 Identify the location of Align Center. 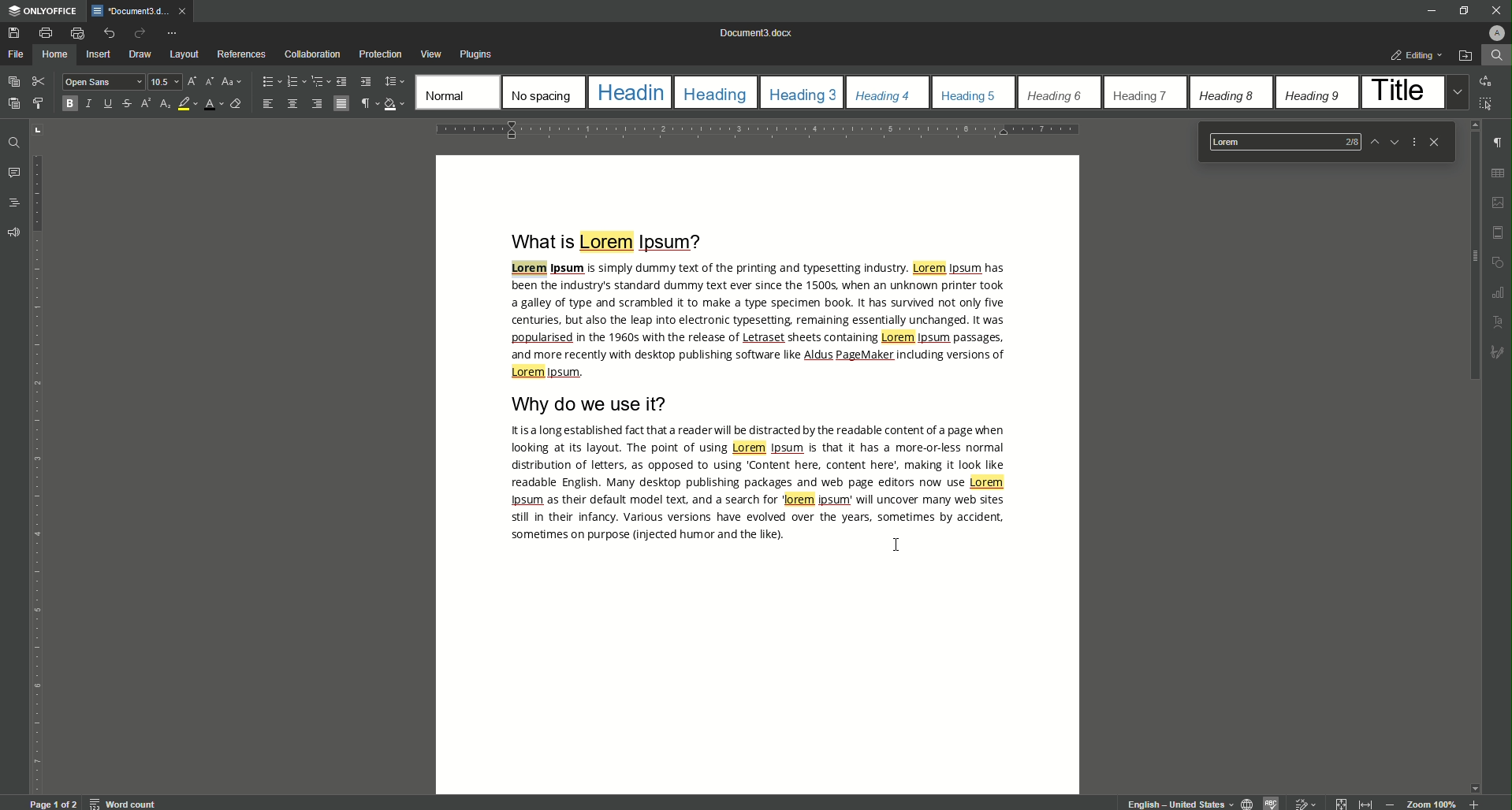
(293, 104).